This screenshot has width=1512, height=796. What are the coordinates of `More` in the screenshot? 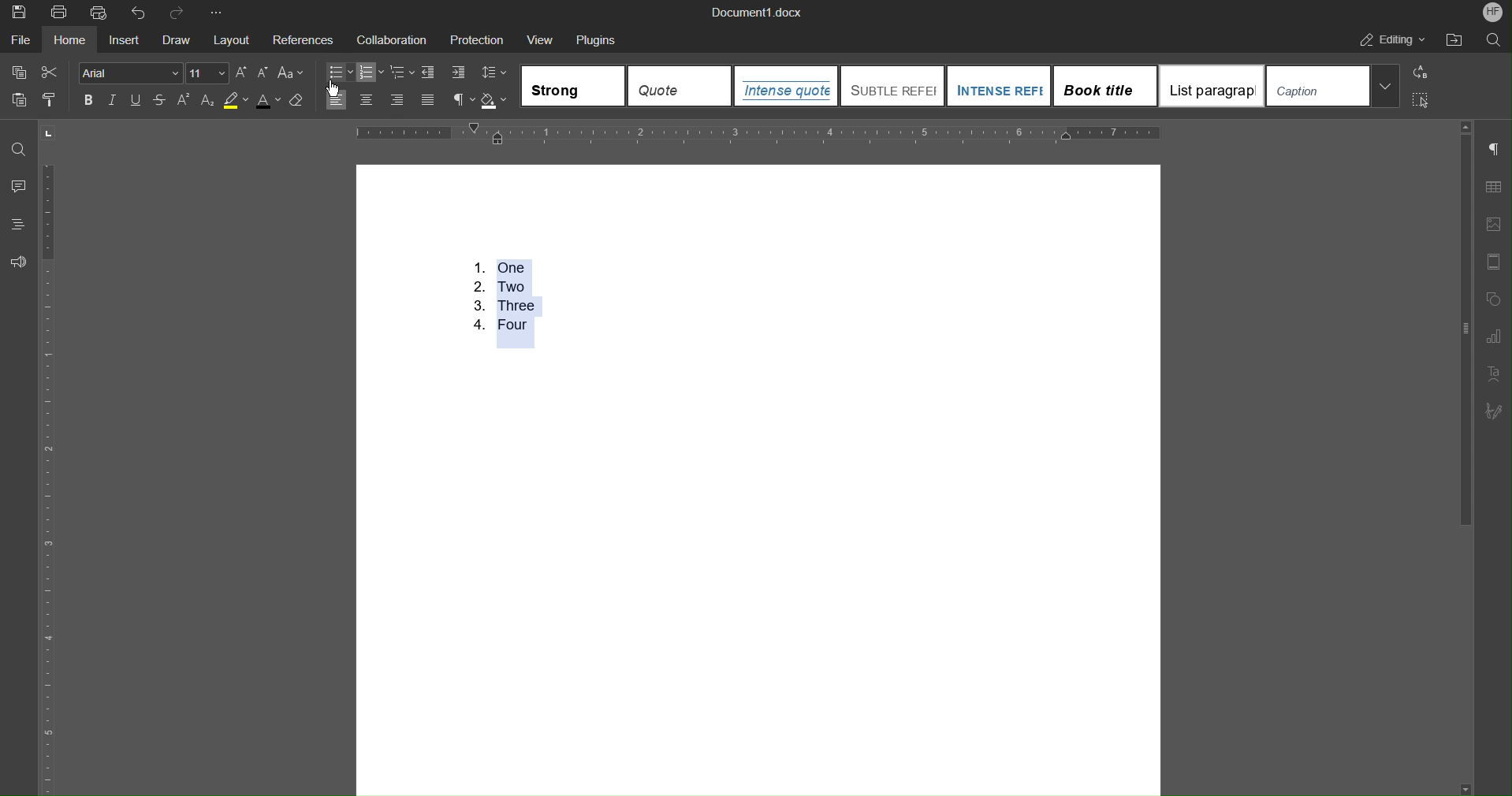 It's located at (215, 10).